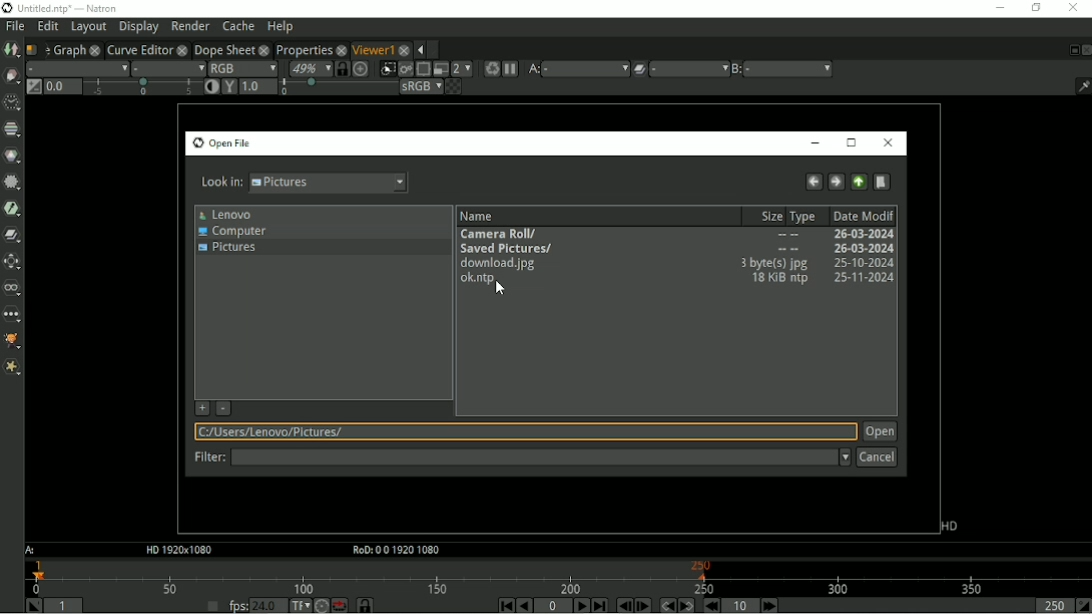  What do you see at coordinates (94, 49) in the screenshot?
I see `close` at bounding box center [94, 49].